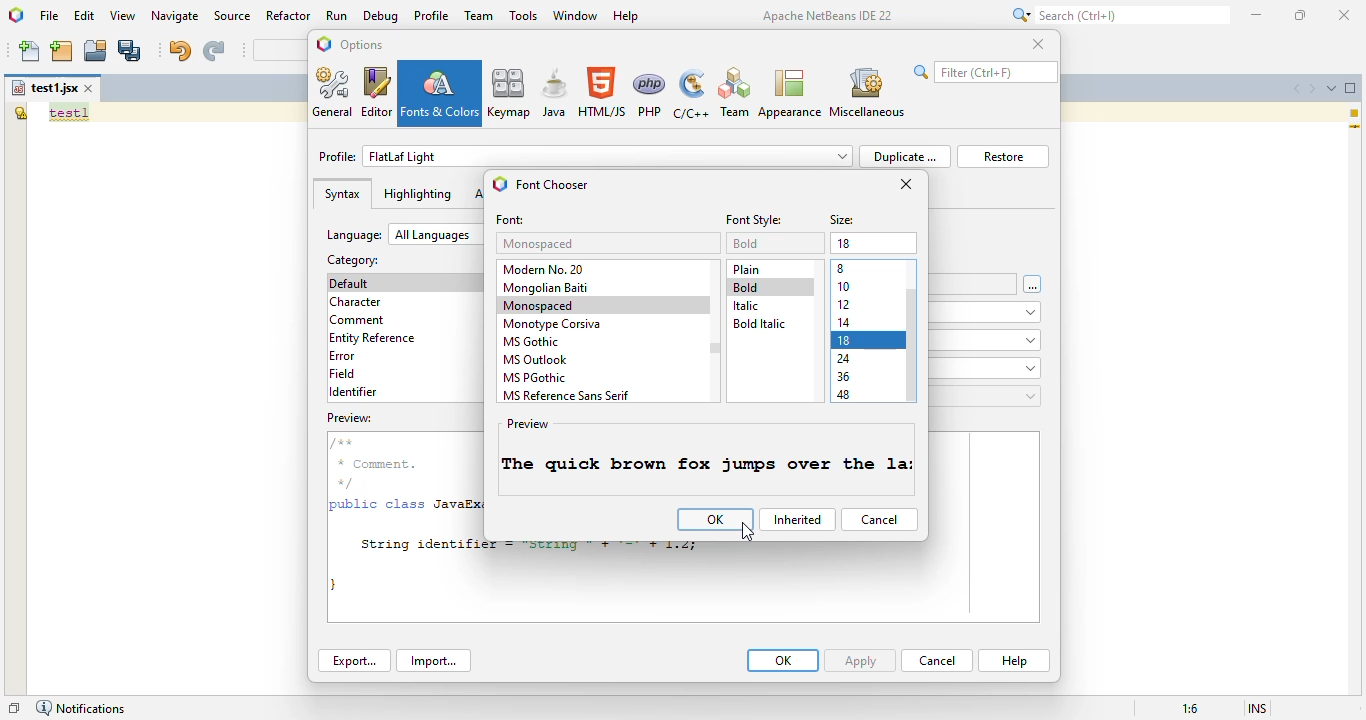  Describe the element at coordinates (789, 93) in the screenshot. I see `appearance` at that location.